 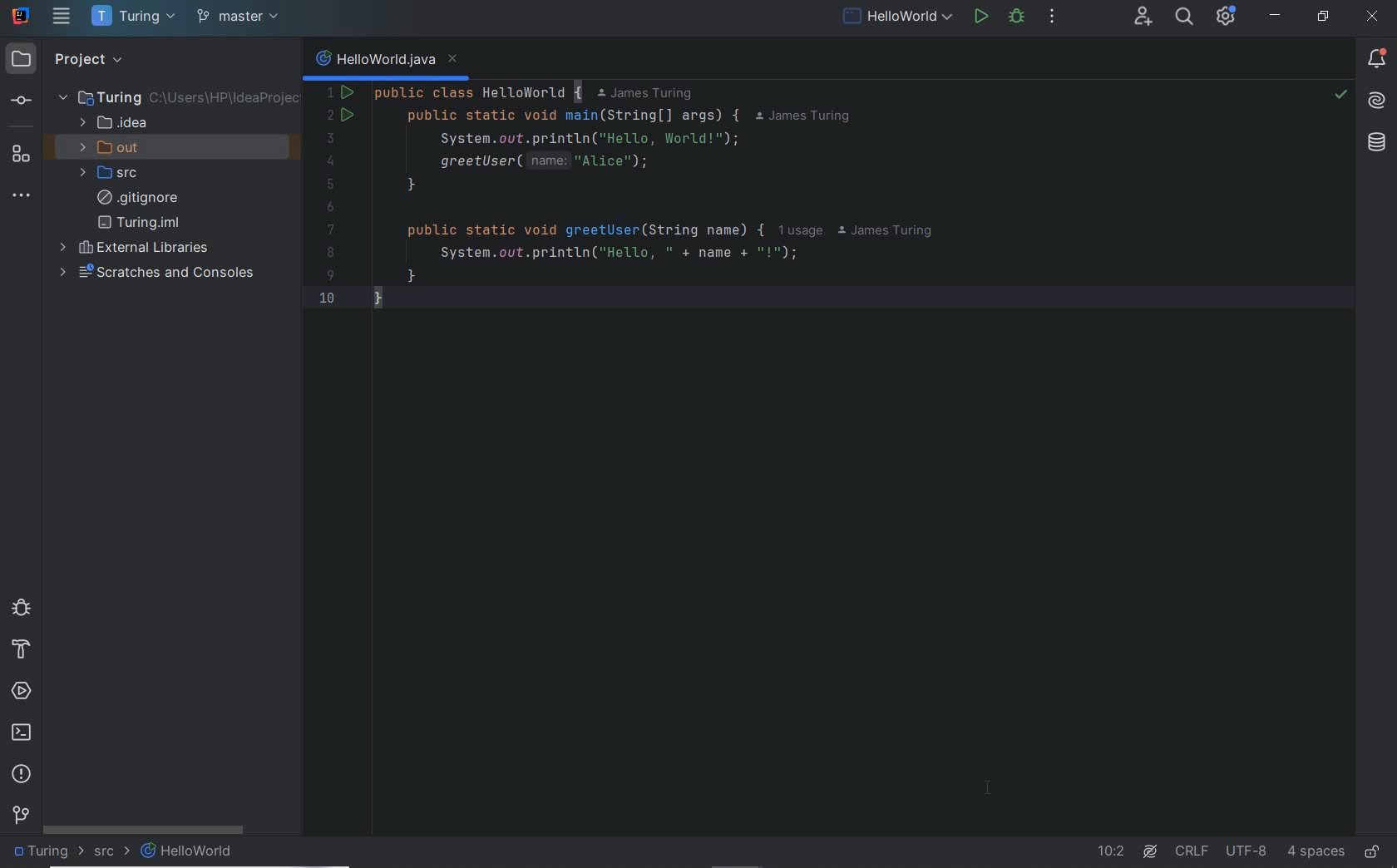 What do you see at coordinates (1153, 851) in the screenshot?
I see `AI Assistant` at bounding box center [1153, 851].